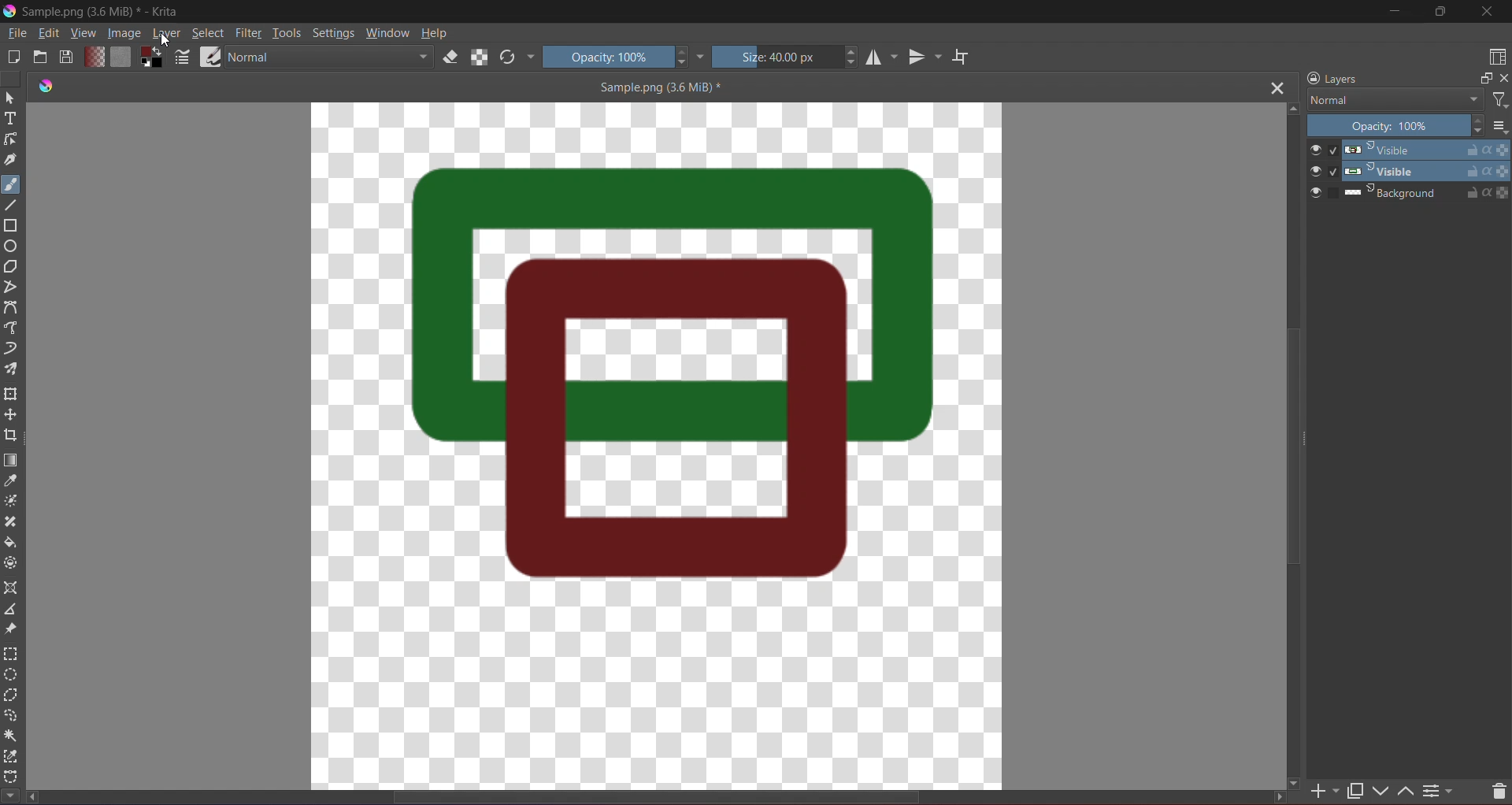 This screenshot has width=1512, height=805. I want to click on Layer, so click(167, 35).